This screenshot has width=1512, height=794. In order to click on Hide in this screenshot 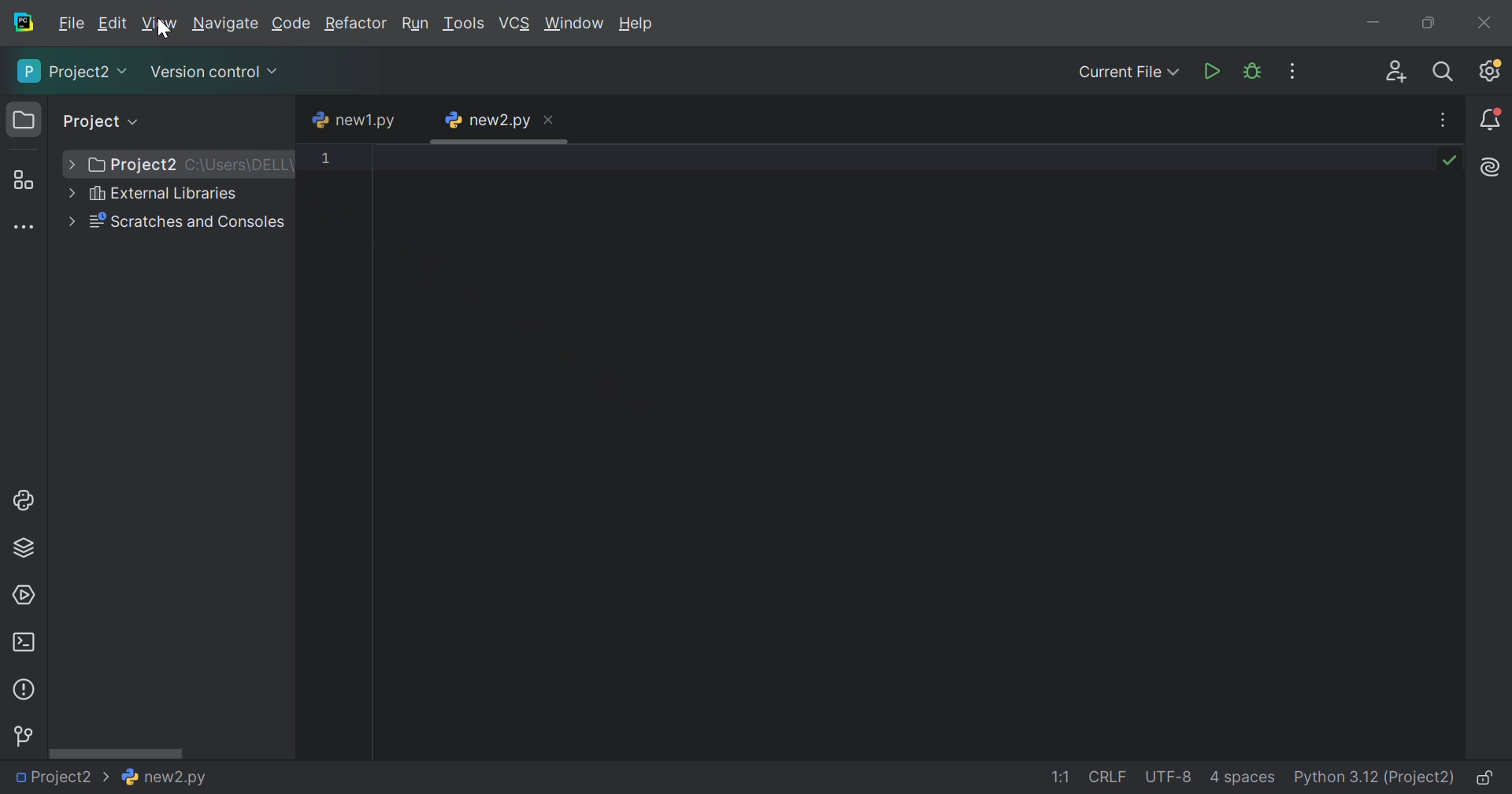, I will do `click(1447, 121)`.